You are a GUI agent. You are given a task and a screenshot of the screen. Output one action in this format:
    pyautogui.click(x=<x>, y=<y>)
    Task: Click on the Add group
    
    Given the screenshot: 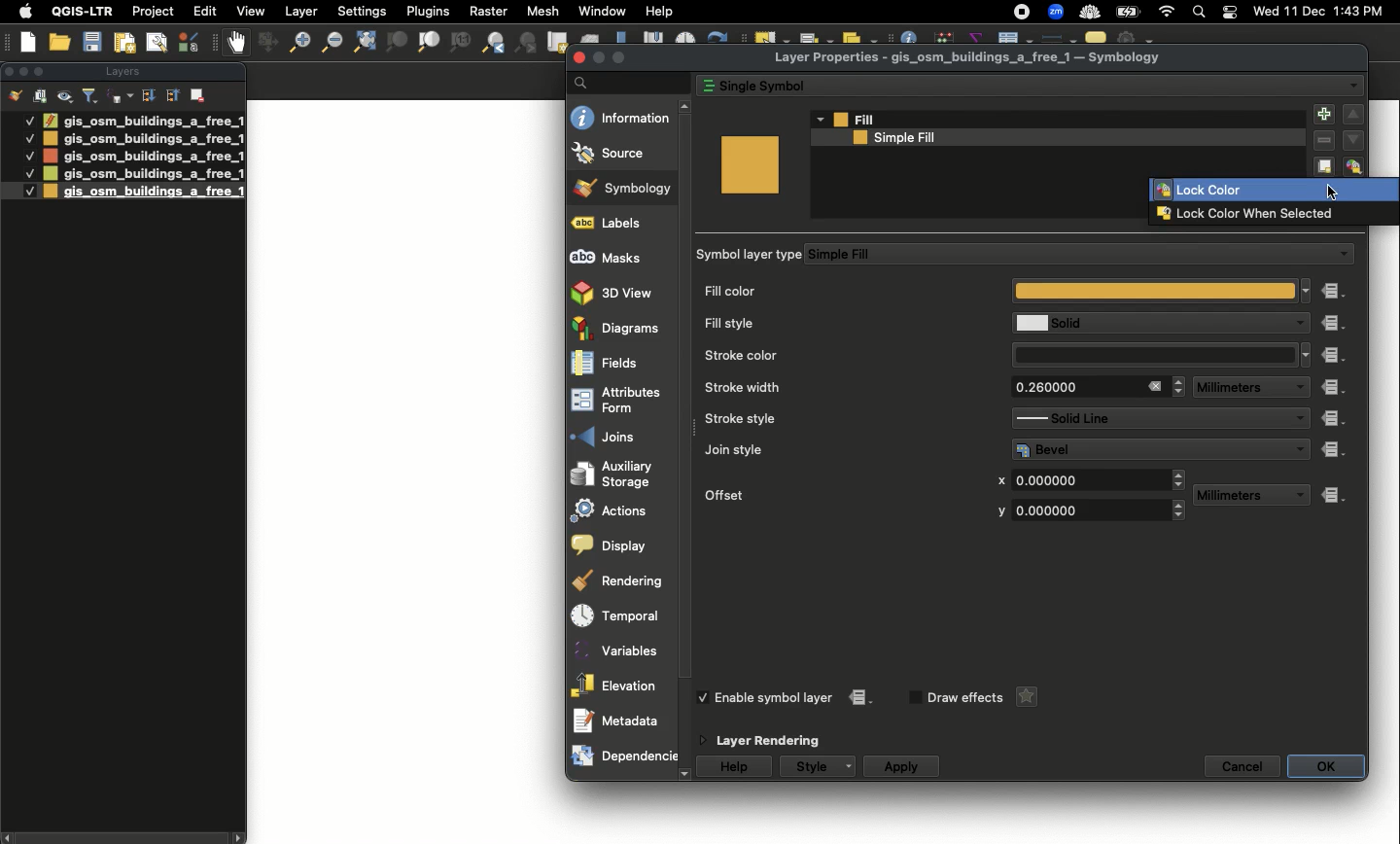 What is the action you would take?
    pyautogui.click(x=41, y=95)
    